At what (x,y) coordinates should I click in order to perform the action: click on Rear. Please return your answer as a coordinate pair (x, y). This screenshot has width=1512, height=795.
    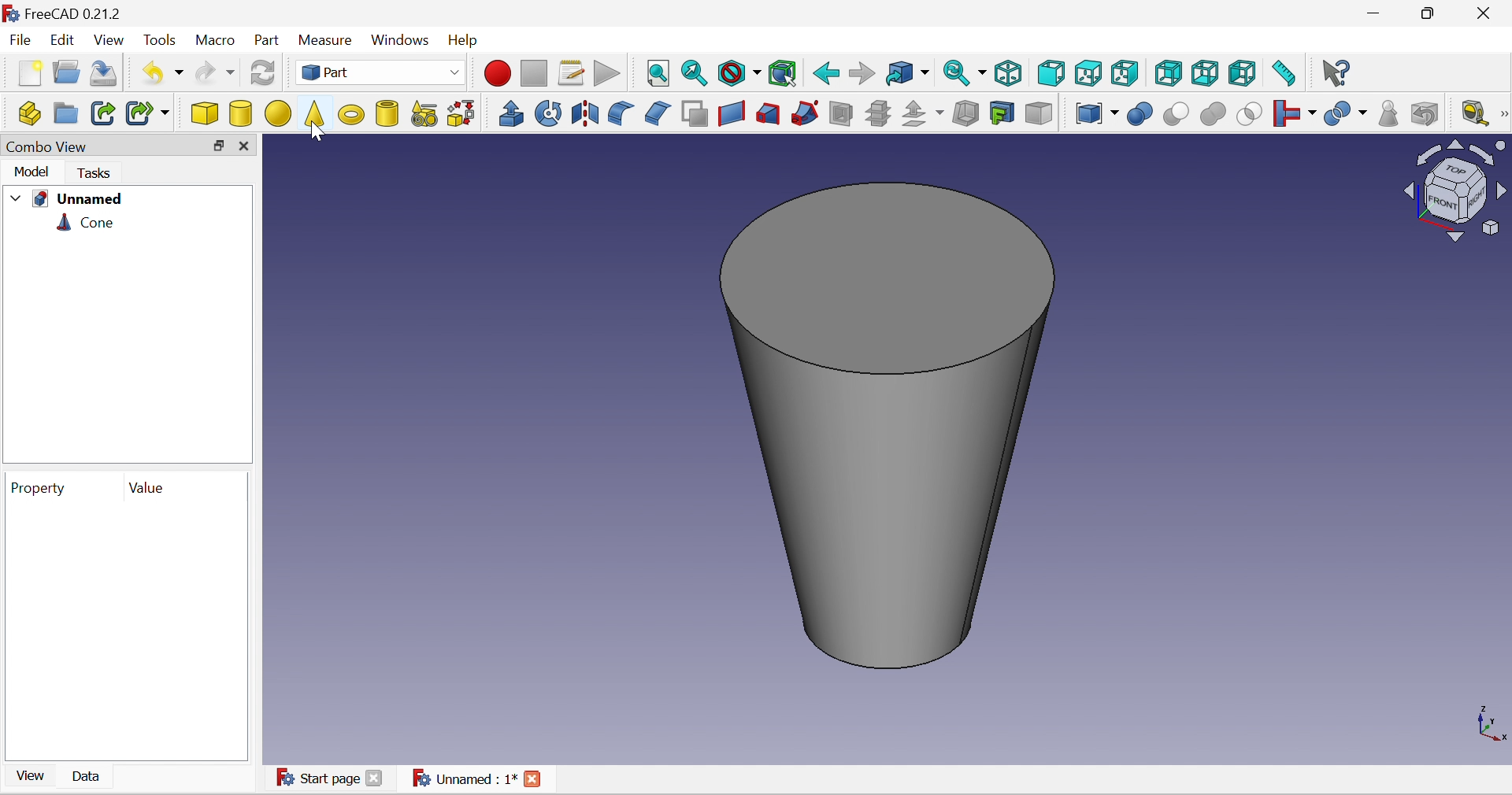
    Looking at the image, I should click on (1169, 73).